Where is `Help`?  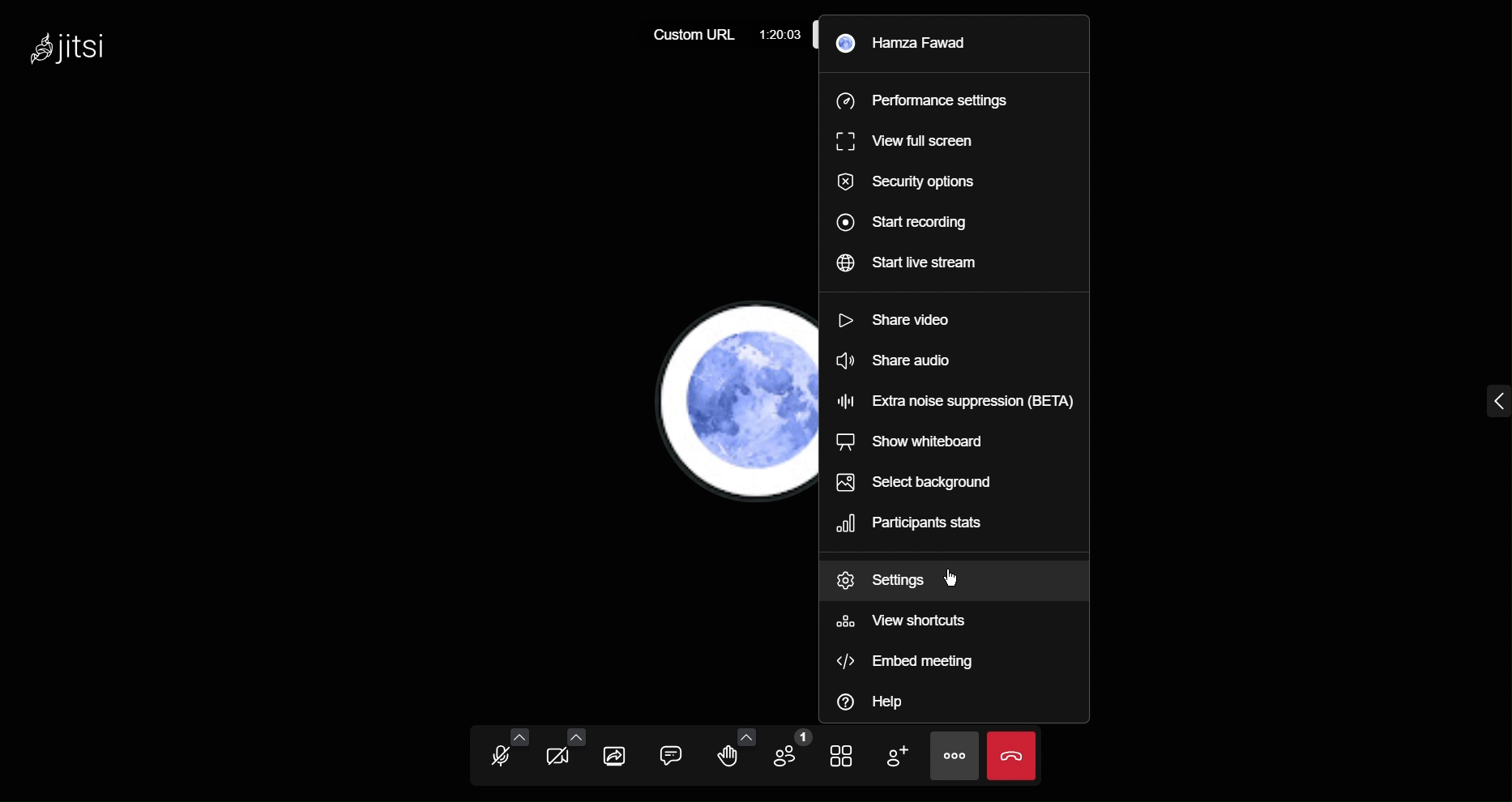 Help is located at coordinates (878, 703).